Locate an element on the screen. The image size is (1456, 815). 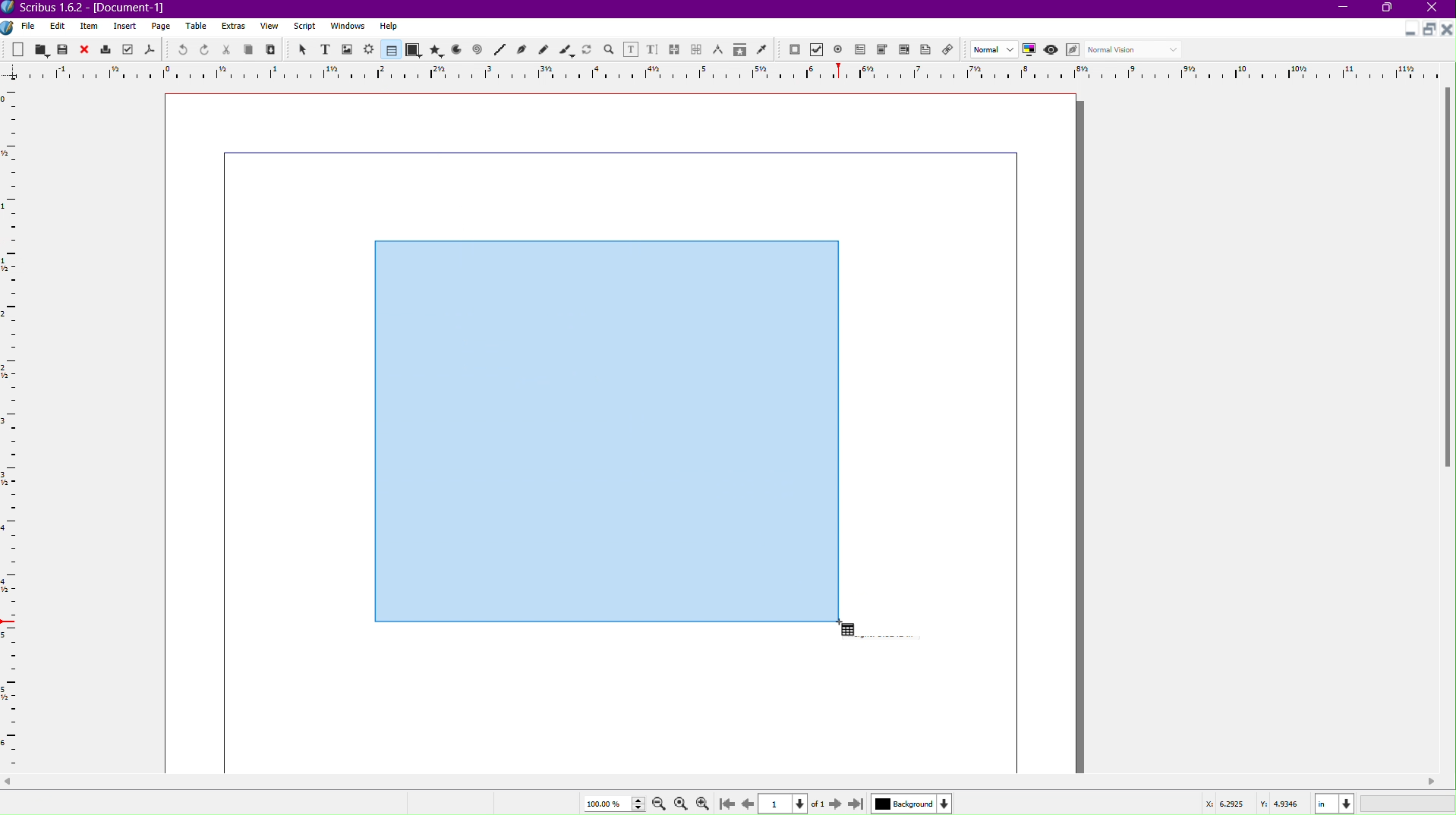
Edit Text with Story Editor is located at coordinates (653, 49).